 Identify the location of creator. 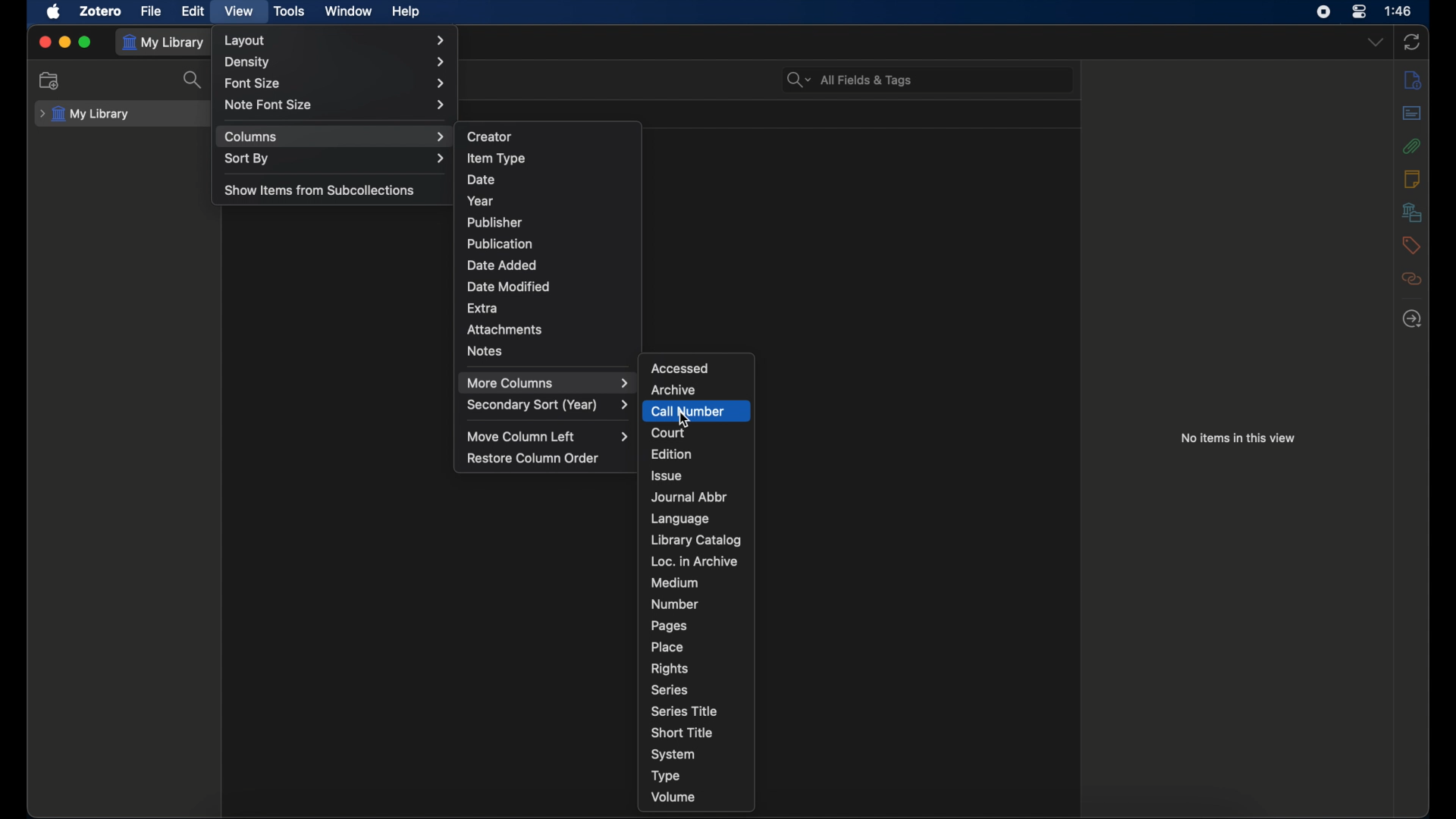
(491, 136).